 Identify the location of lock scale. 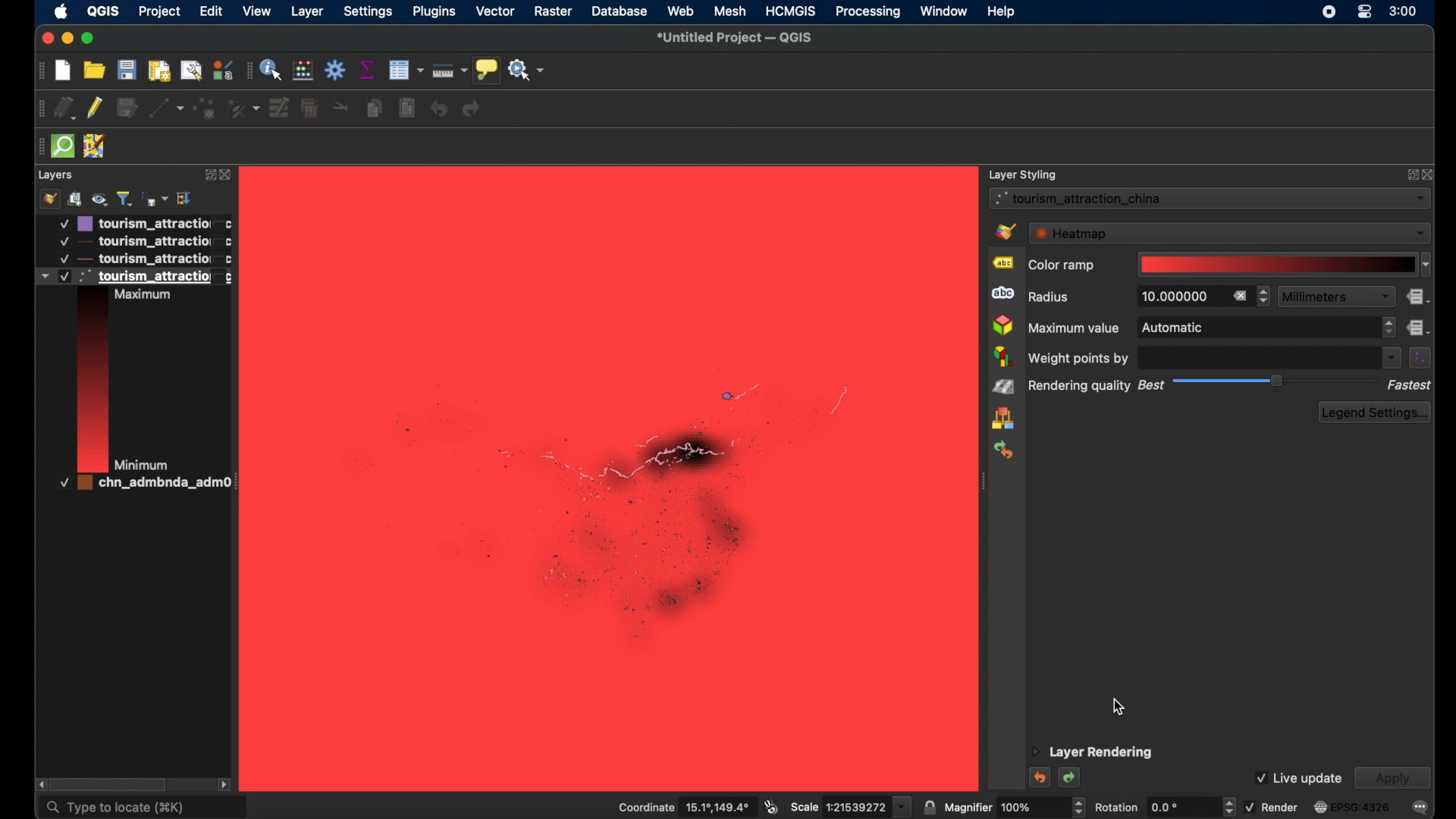
(929, 806).